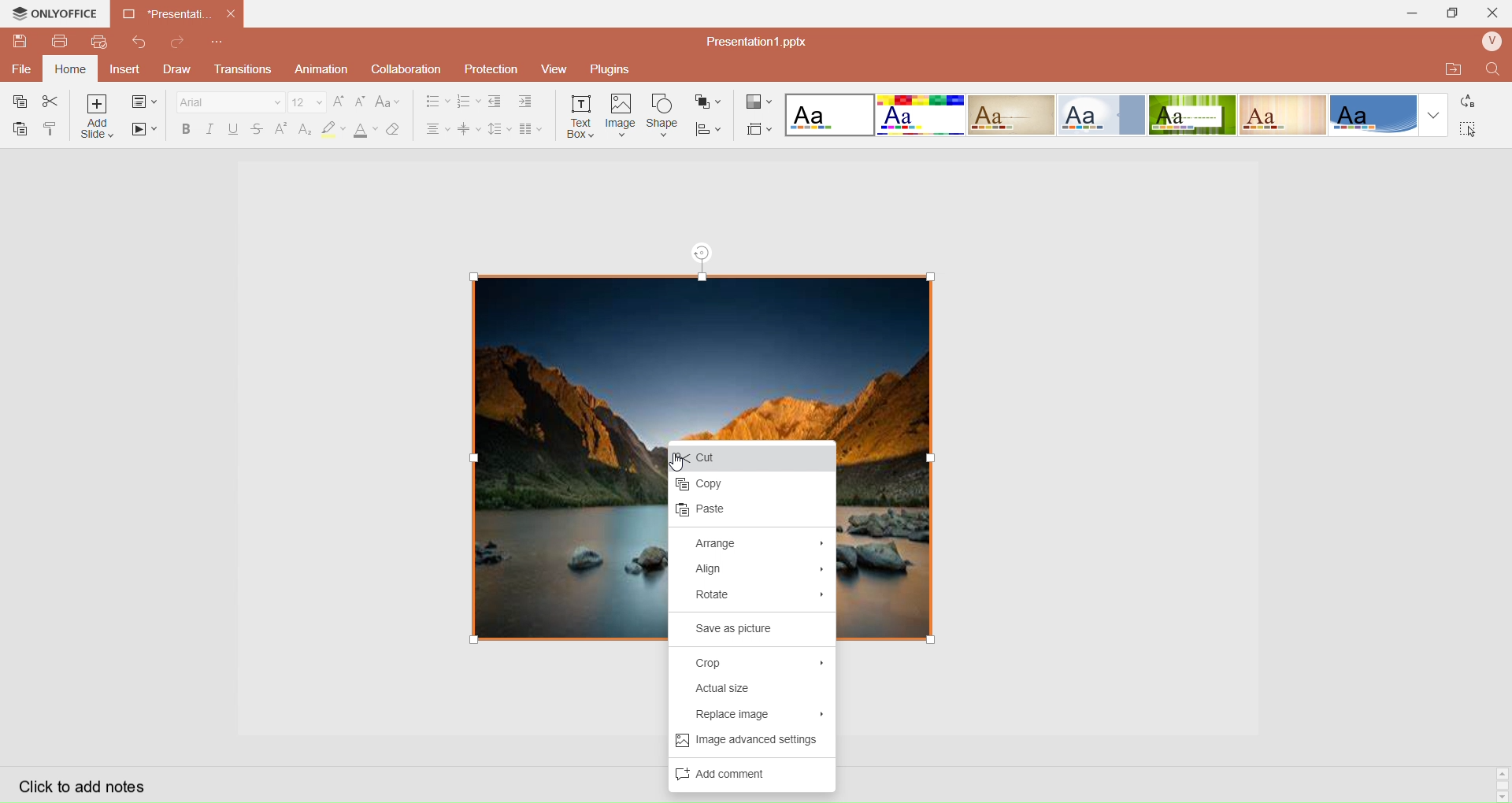 The width and height of the screenshot is (1512, 803). I want to click on Animation, so click(323, 70).